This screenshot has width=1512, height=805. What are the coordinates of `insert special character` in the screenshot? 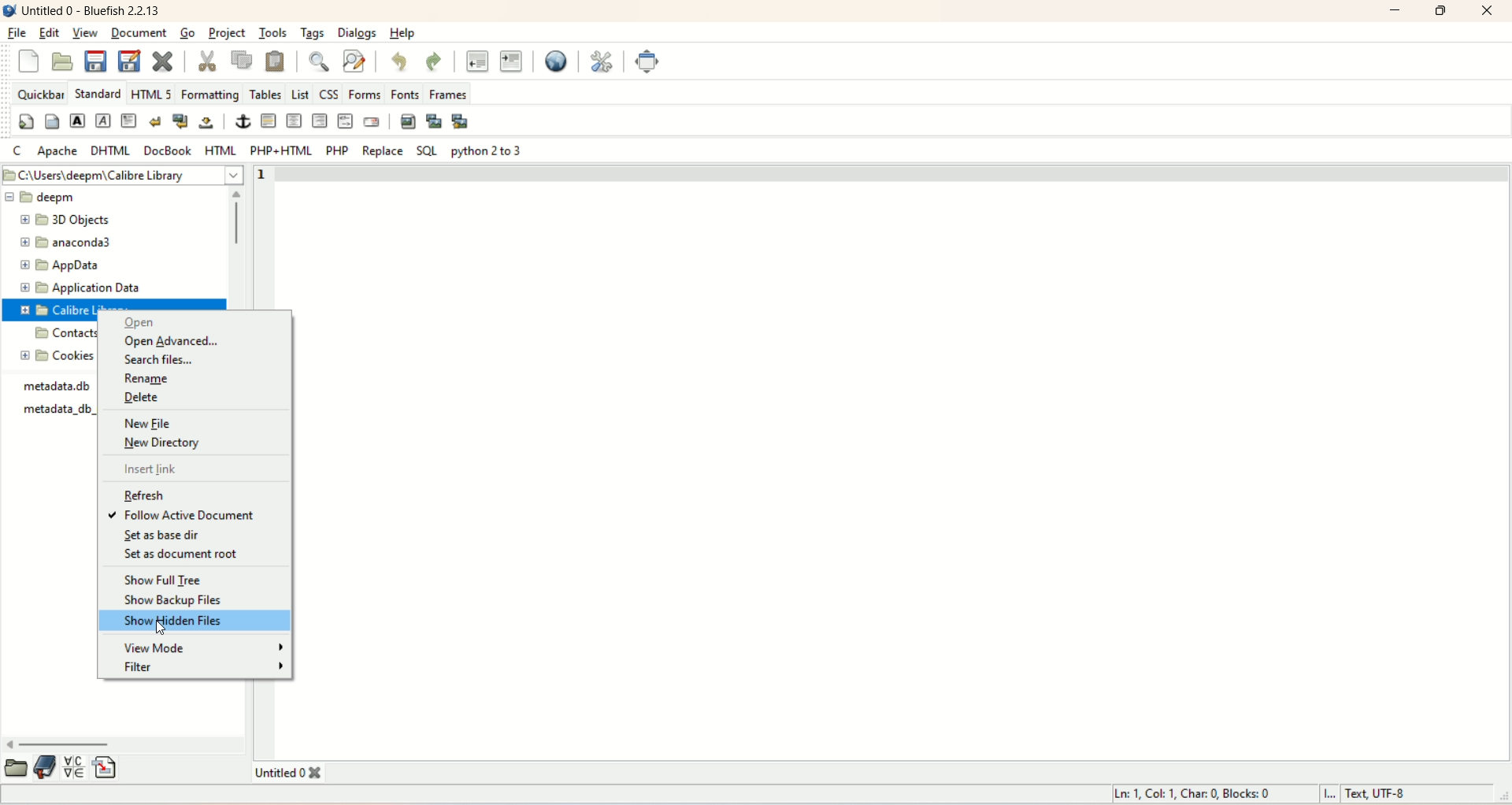 It's located at (74, 768).